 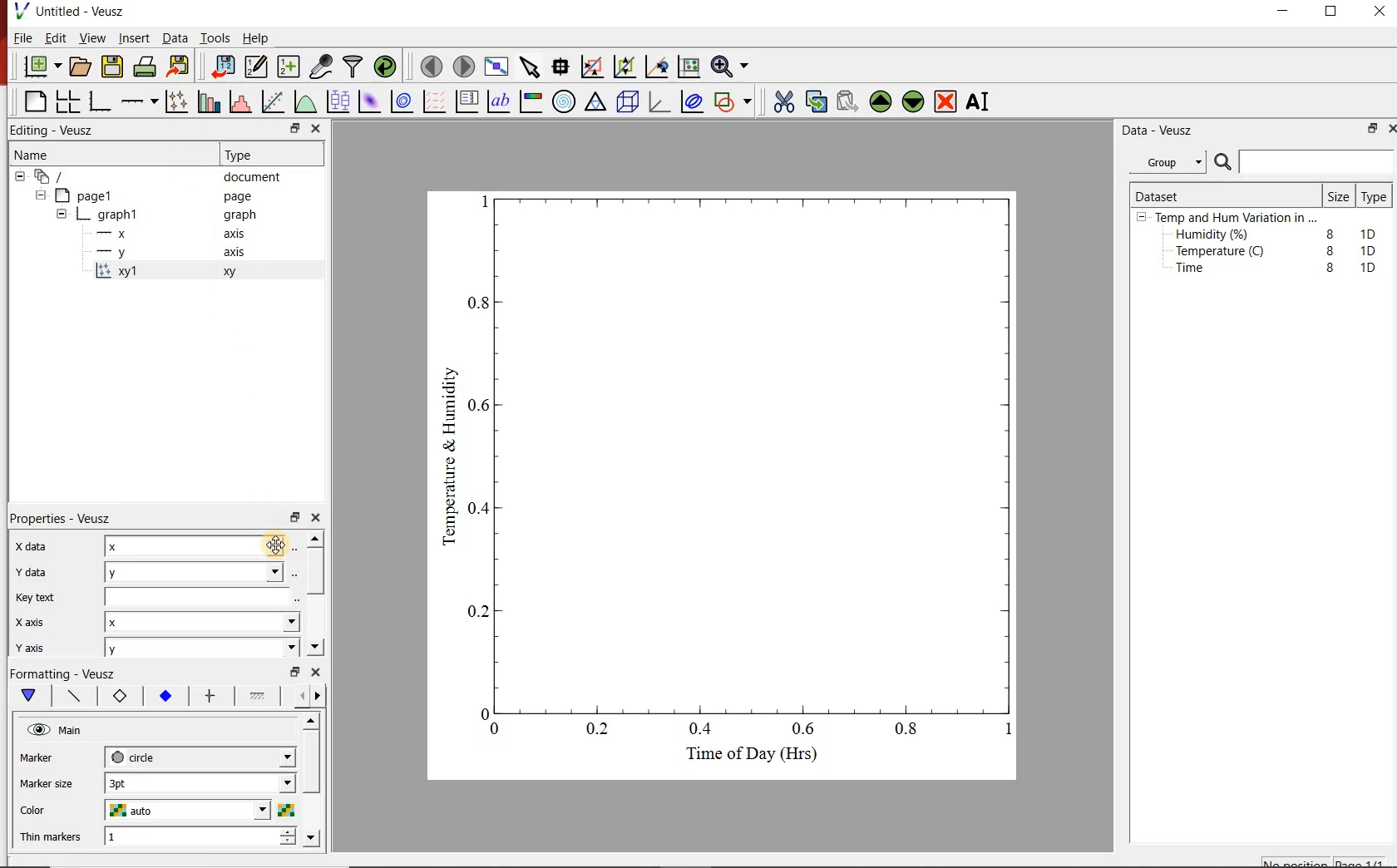 What do you see at coordinates (881, 100) in the screenshot?
I see `Move the selected widget up` at bounding box center [881, 100].